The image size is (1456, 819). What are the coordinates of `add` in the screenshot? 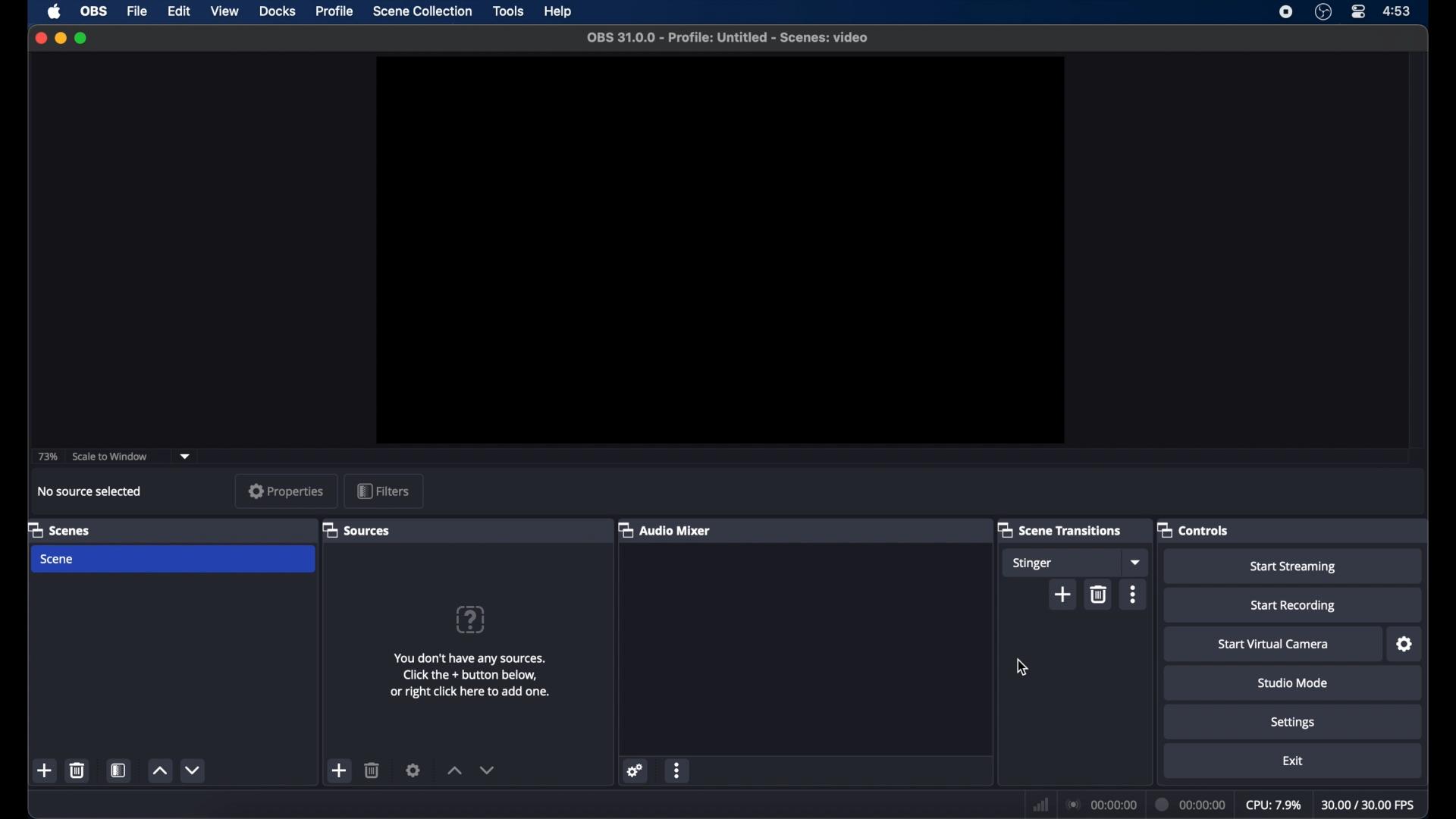 It's located at (337, 770).